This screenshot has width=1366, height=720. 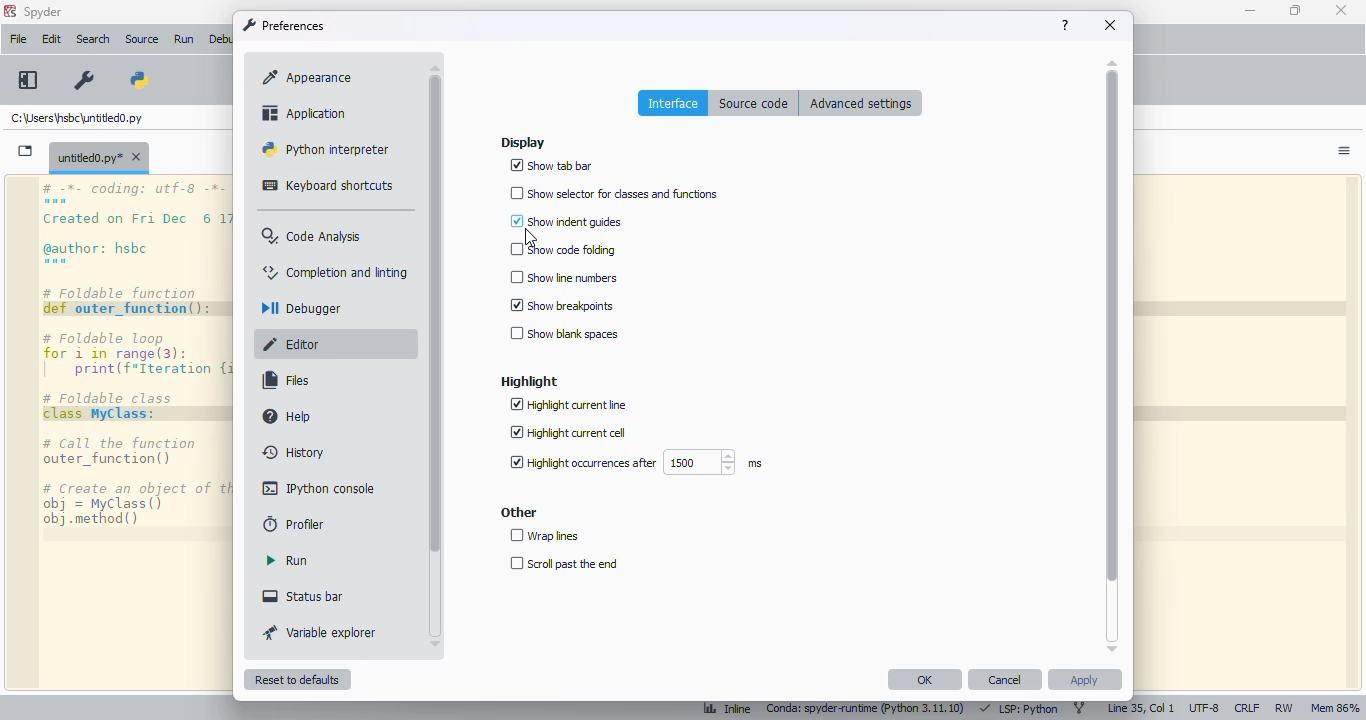 What do you see at coordinates (523, 143) in the screenshot?
I see `display` at bounding box center [523, 143].